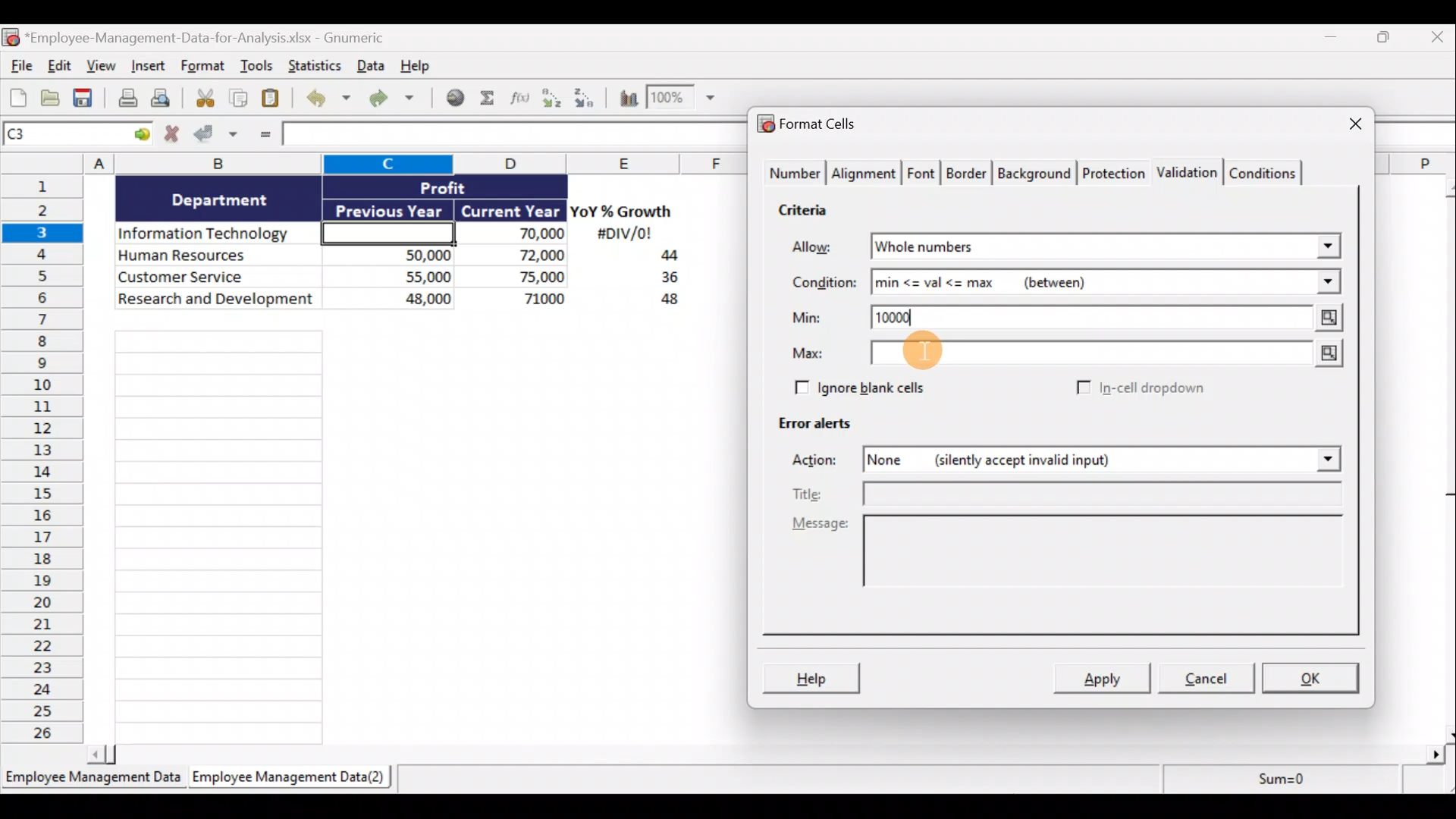  What do you see at coordinates (1038, 174) in the screenshot?
I see `Background` at bounding box center [1038, 174].